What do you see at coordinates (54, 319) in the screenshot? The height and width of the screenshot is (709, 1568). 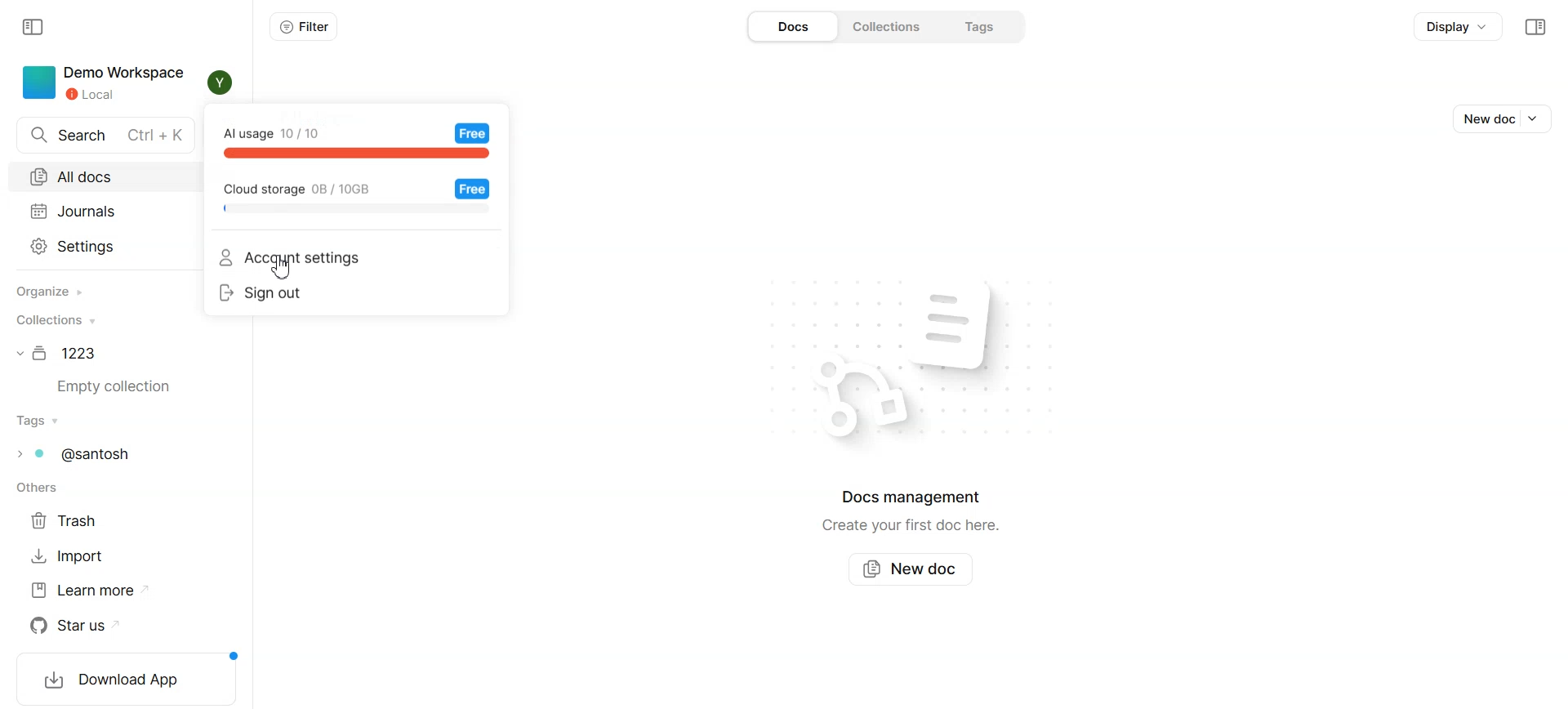 I see `Collections` at bounding box center [54, 319].